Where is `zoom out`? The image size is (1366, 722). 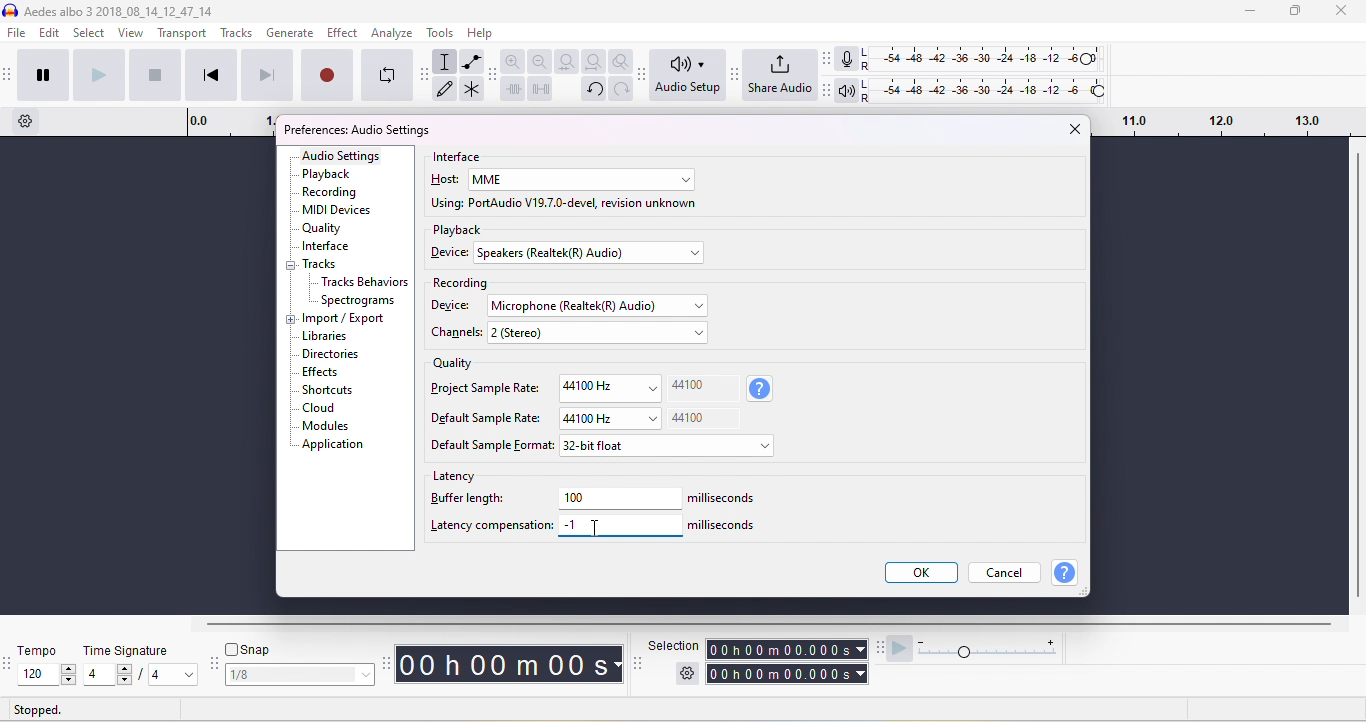
zoom out is located at coordinates (540, 61).